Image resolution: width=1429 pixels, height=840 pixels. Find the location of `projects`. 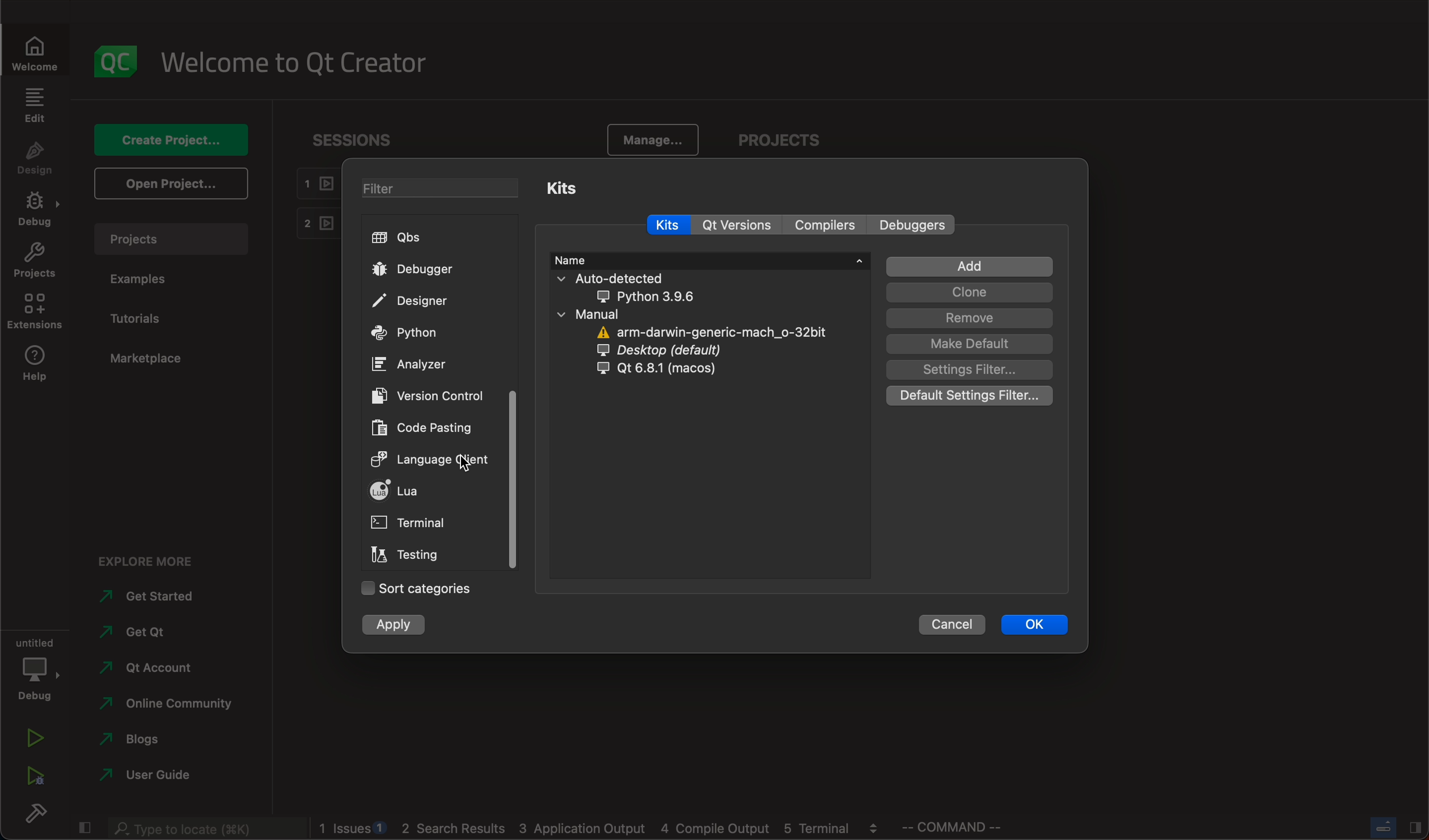

projects is located at coordinates (789, 141).